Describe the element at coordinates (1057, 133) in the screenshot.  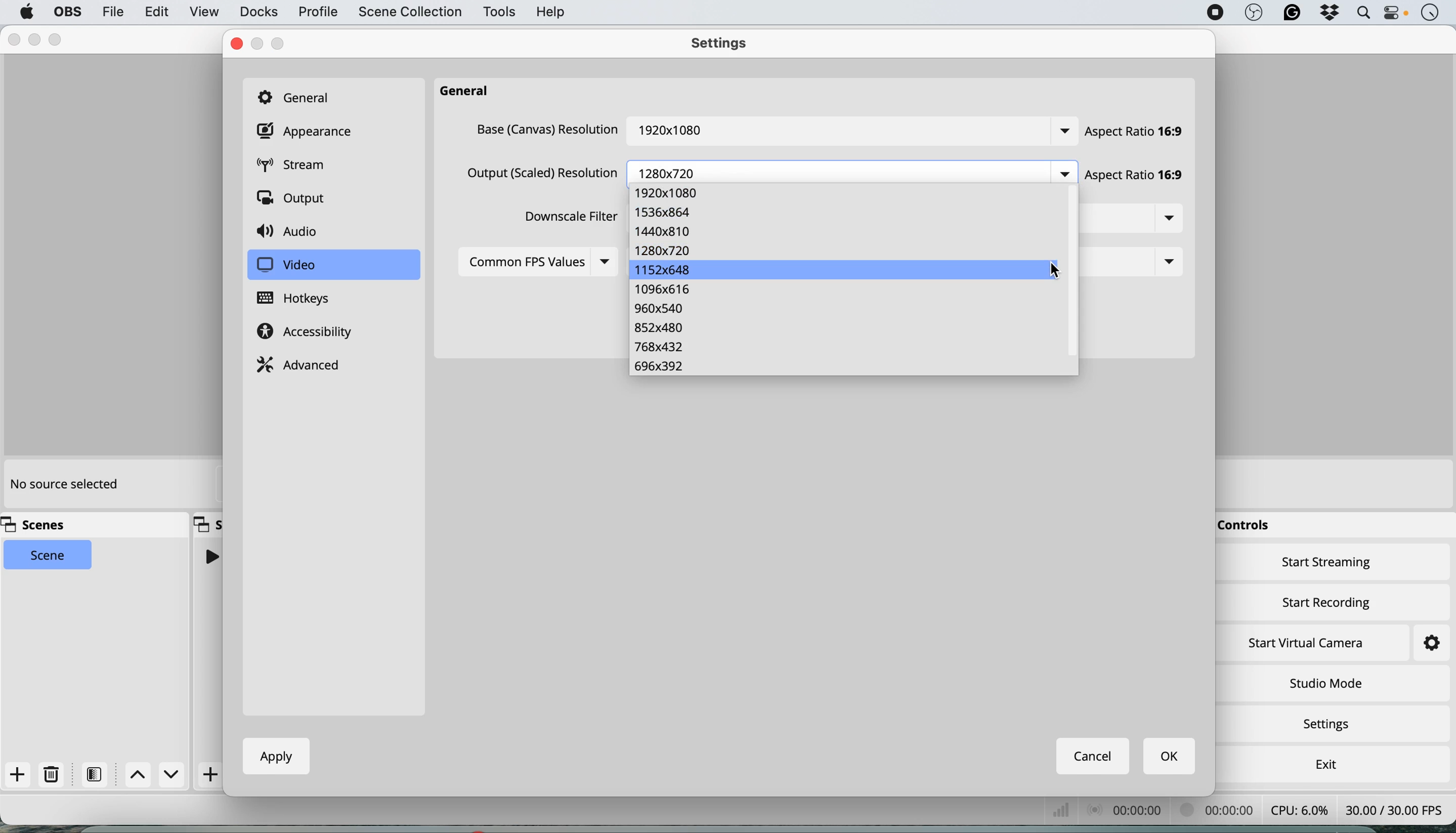
I see `list` at that location.